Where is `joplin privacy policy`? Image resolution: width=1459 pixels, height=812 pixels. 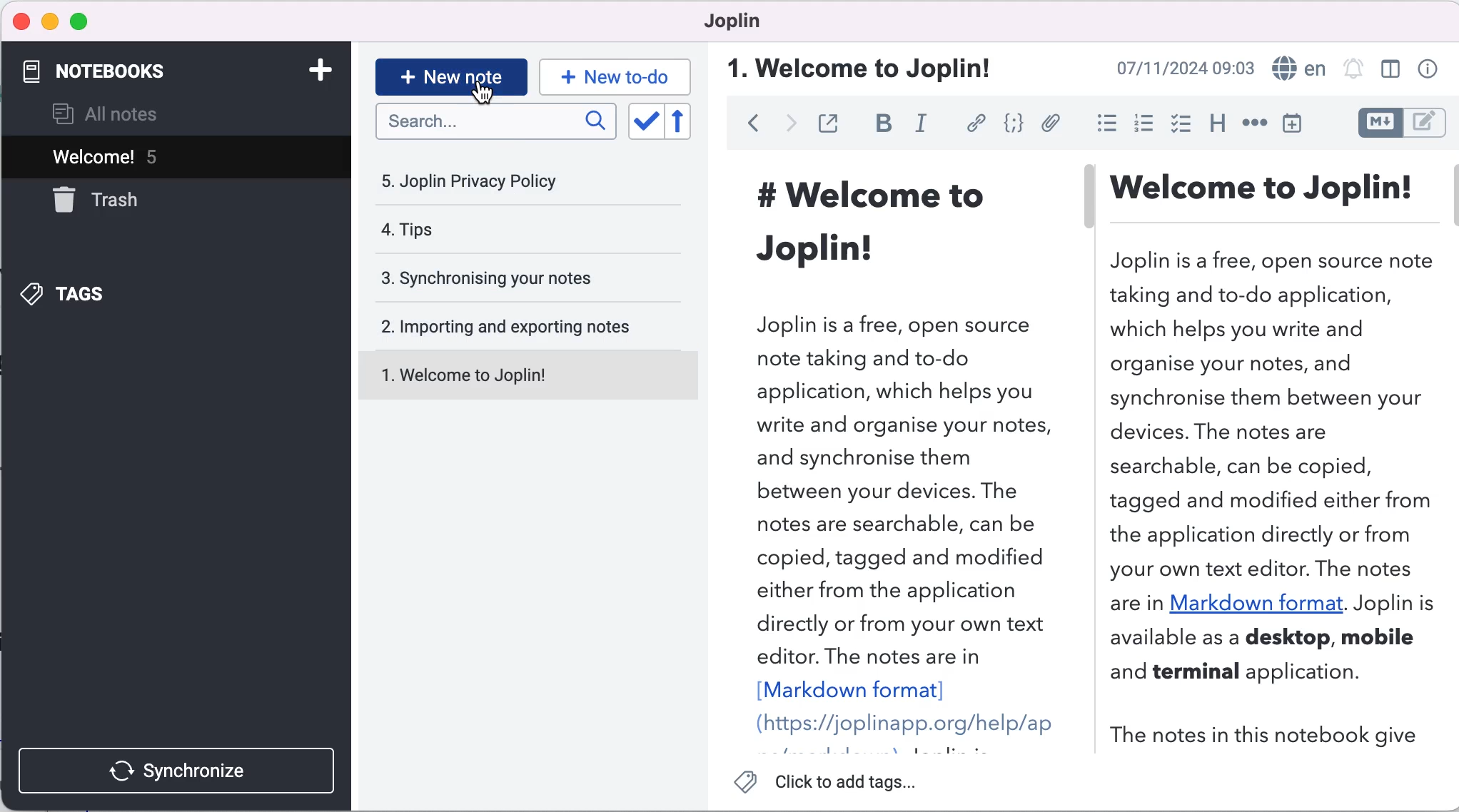
joplin privacy policy is located at coordinates (486, 181).